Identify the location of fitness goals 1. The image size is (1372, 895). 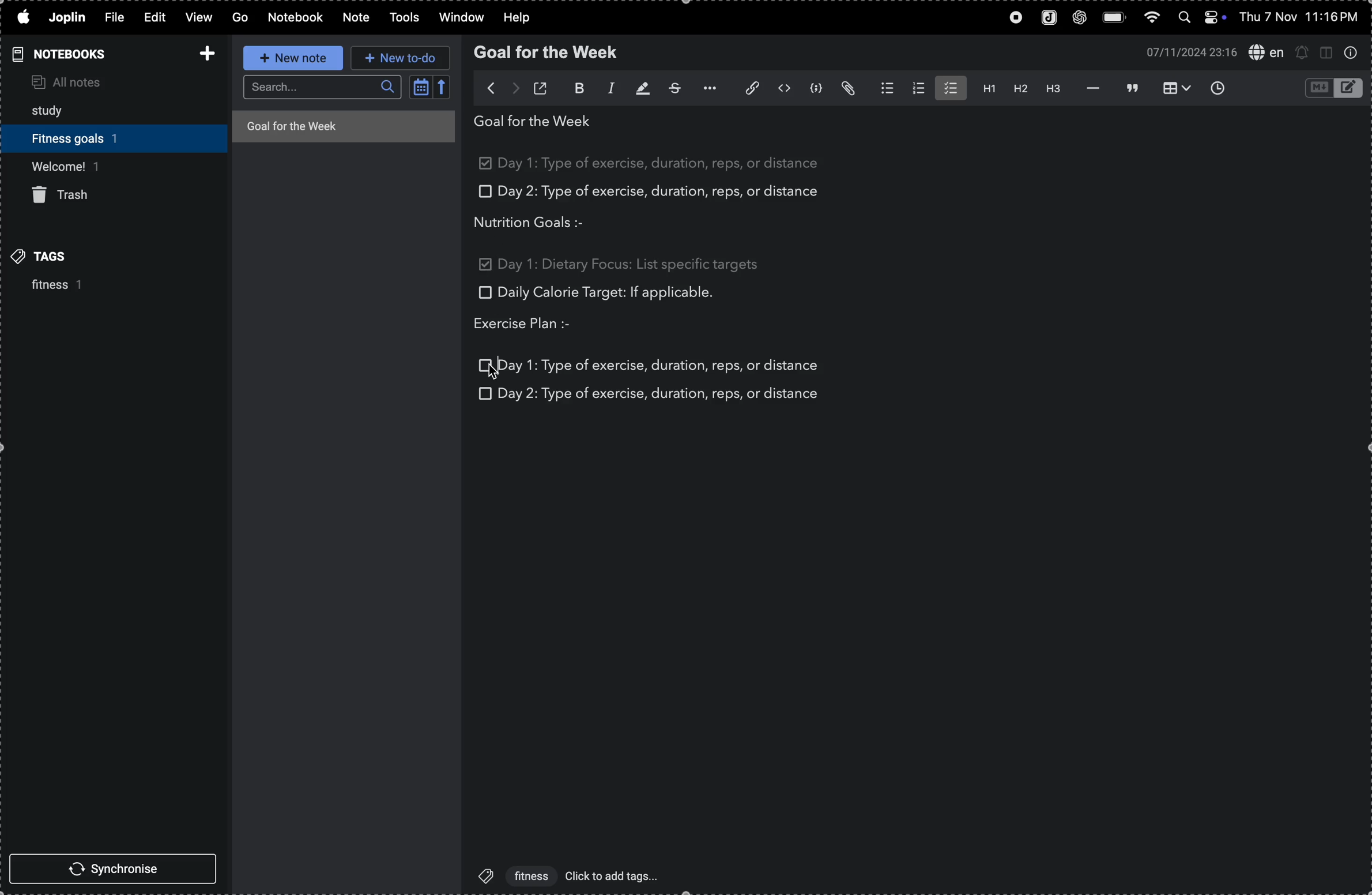
(84, 136).